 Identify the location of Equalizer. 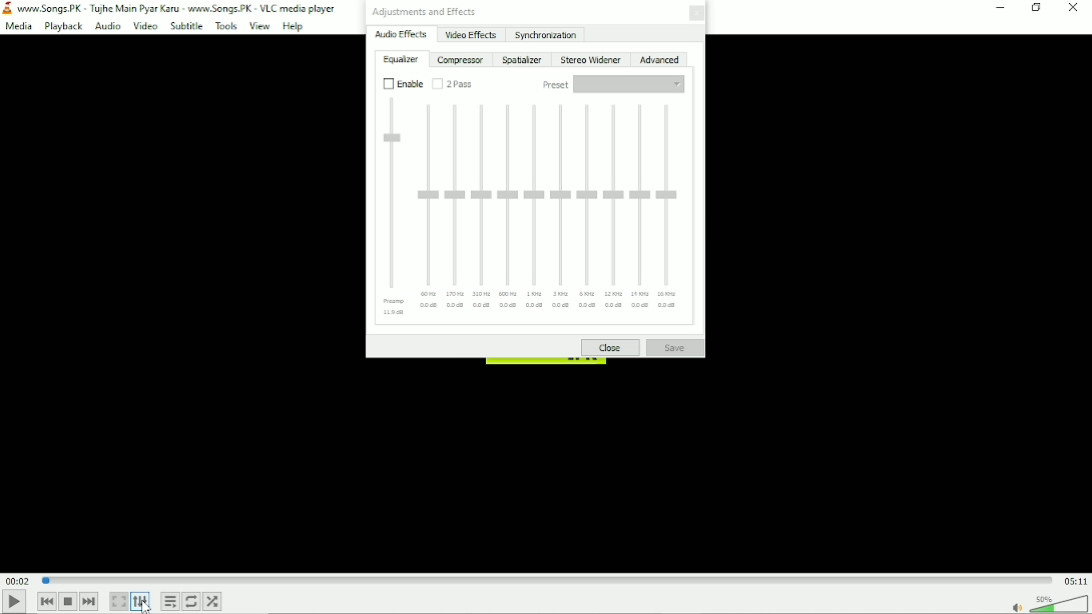
(398, 59).